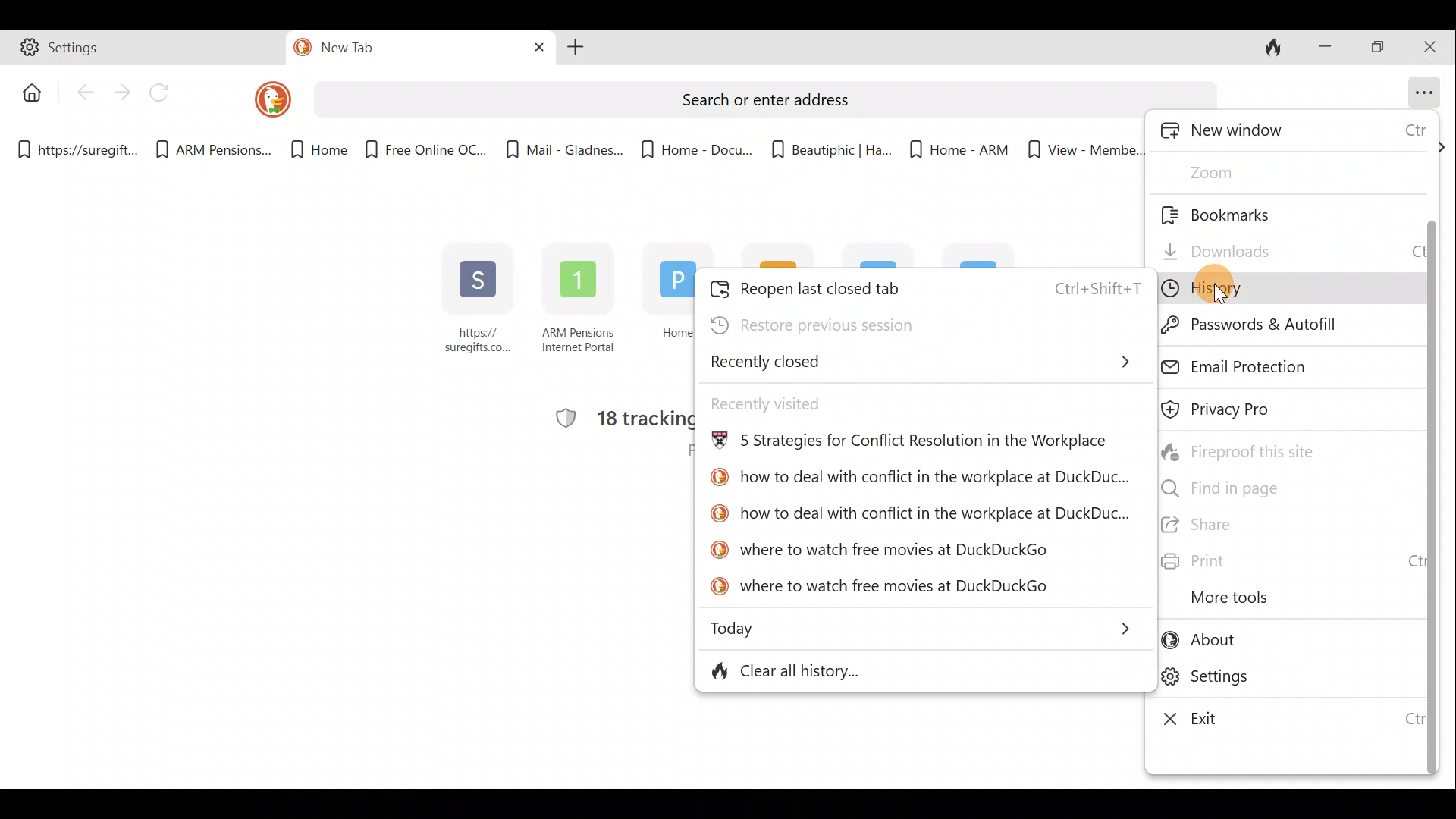 Image resolution: width=1456 pixels, height=819 pixels. What do you see at coordinates (28, 91) in the screenshot?
I see `Home` at bounding box center [28, 91].